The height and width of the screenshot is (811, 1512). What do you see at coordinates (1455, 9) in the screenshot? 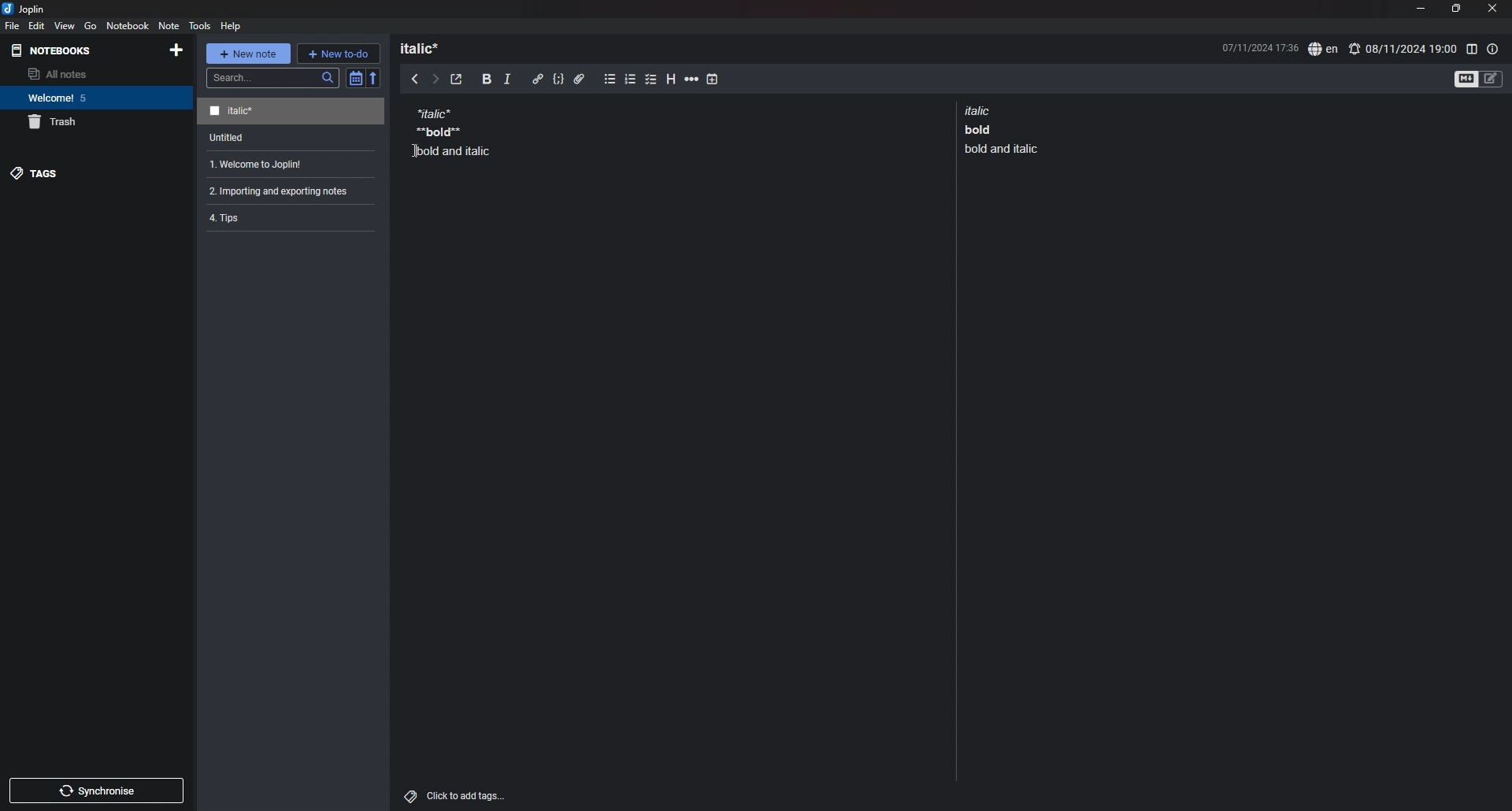
I see `resize` at bounding box center [1455, 9].